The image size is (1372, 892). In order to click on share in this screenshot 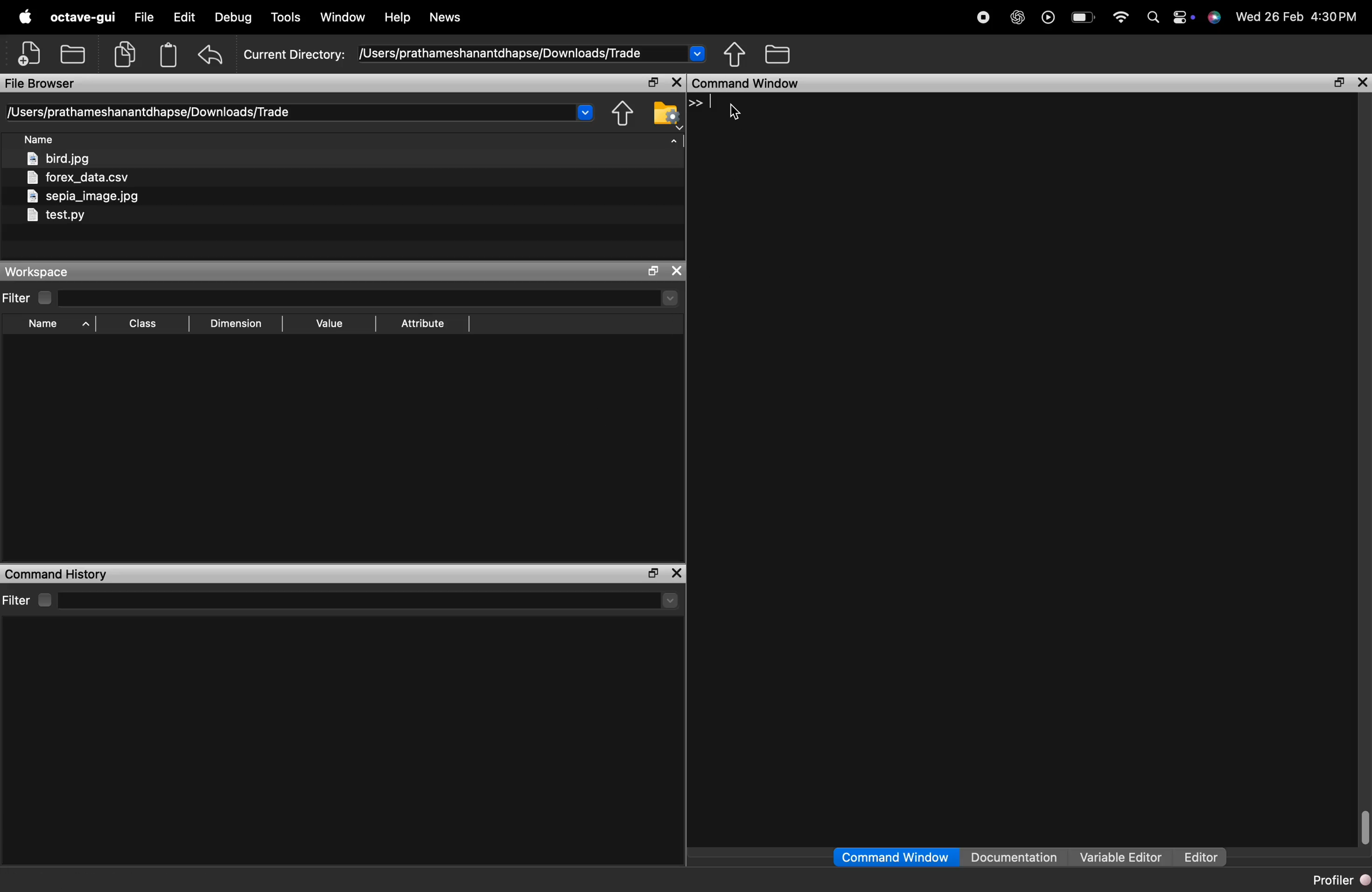, I will do `click(735, 53)`.